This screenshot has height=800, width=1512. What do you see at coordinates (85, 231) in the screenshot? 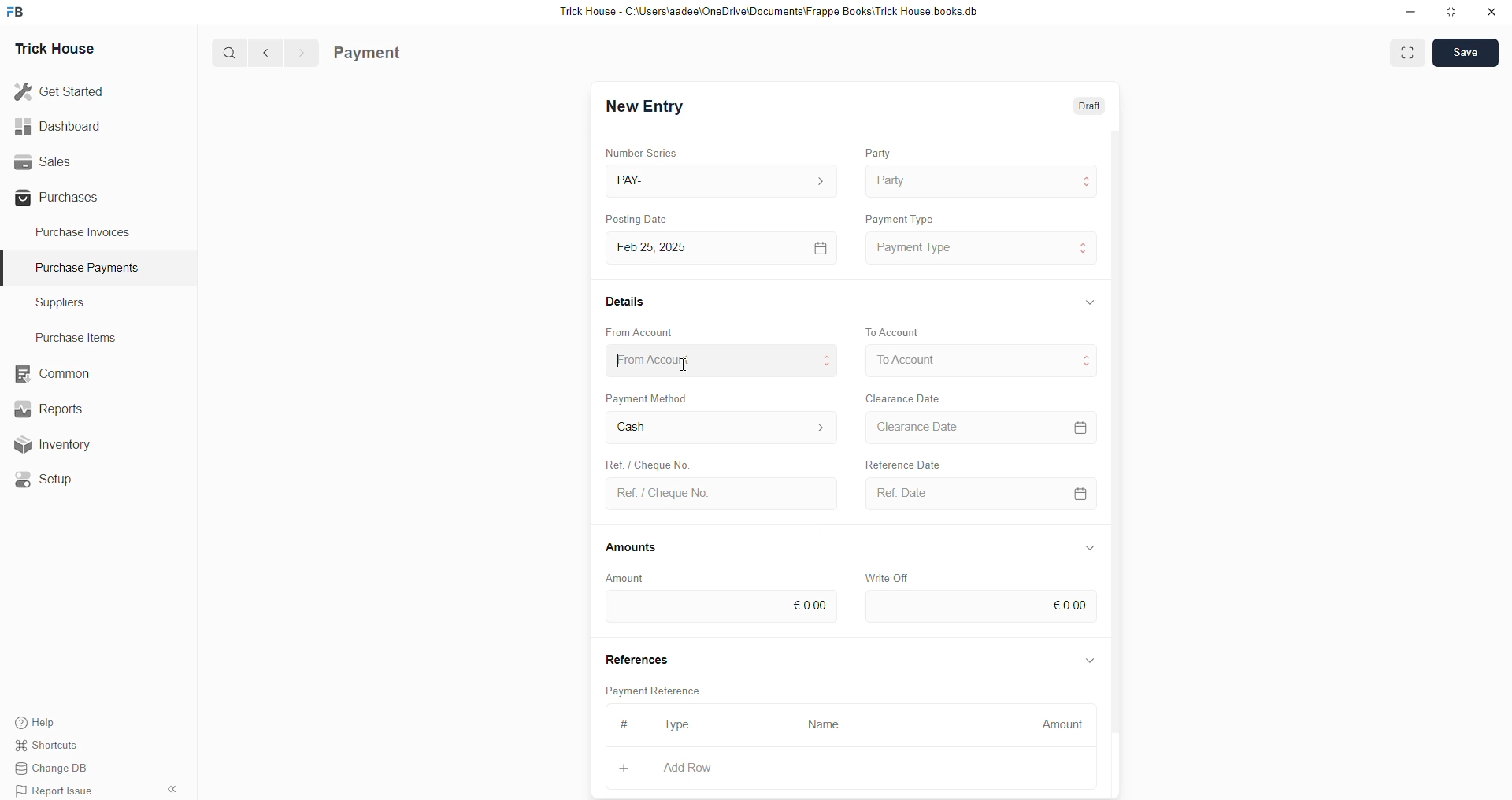
I see `Purchase Invoices` at bounding box center [85, 231].